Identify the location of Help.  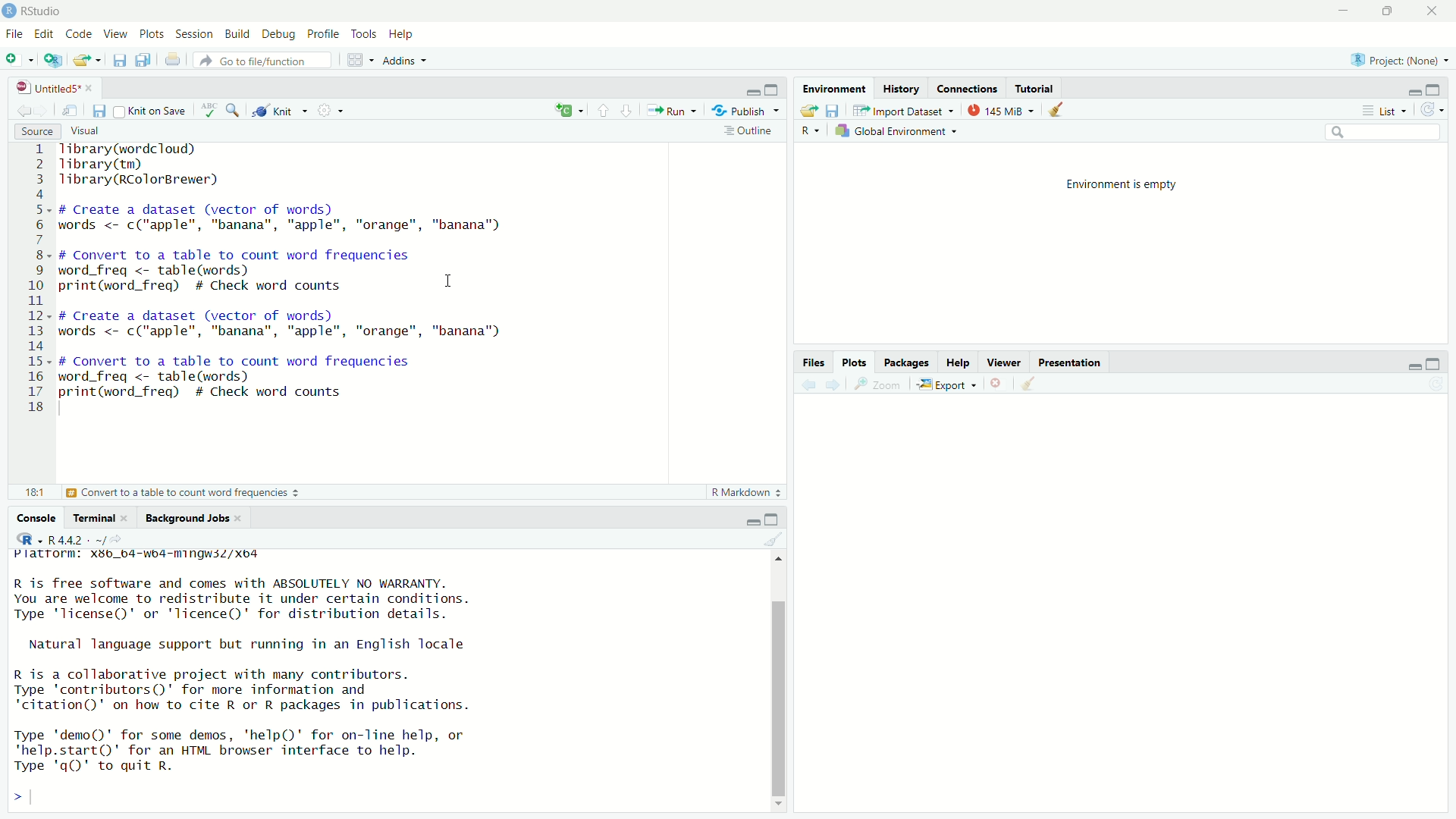
(959, 362).